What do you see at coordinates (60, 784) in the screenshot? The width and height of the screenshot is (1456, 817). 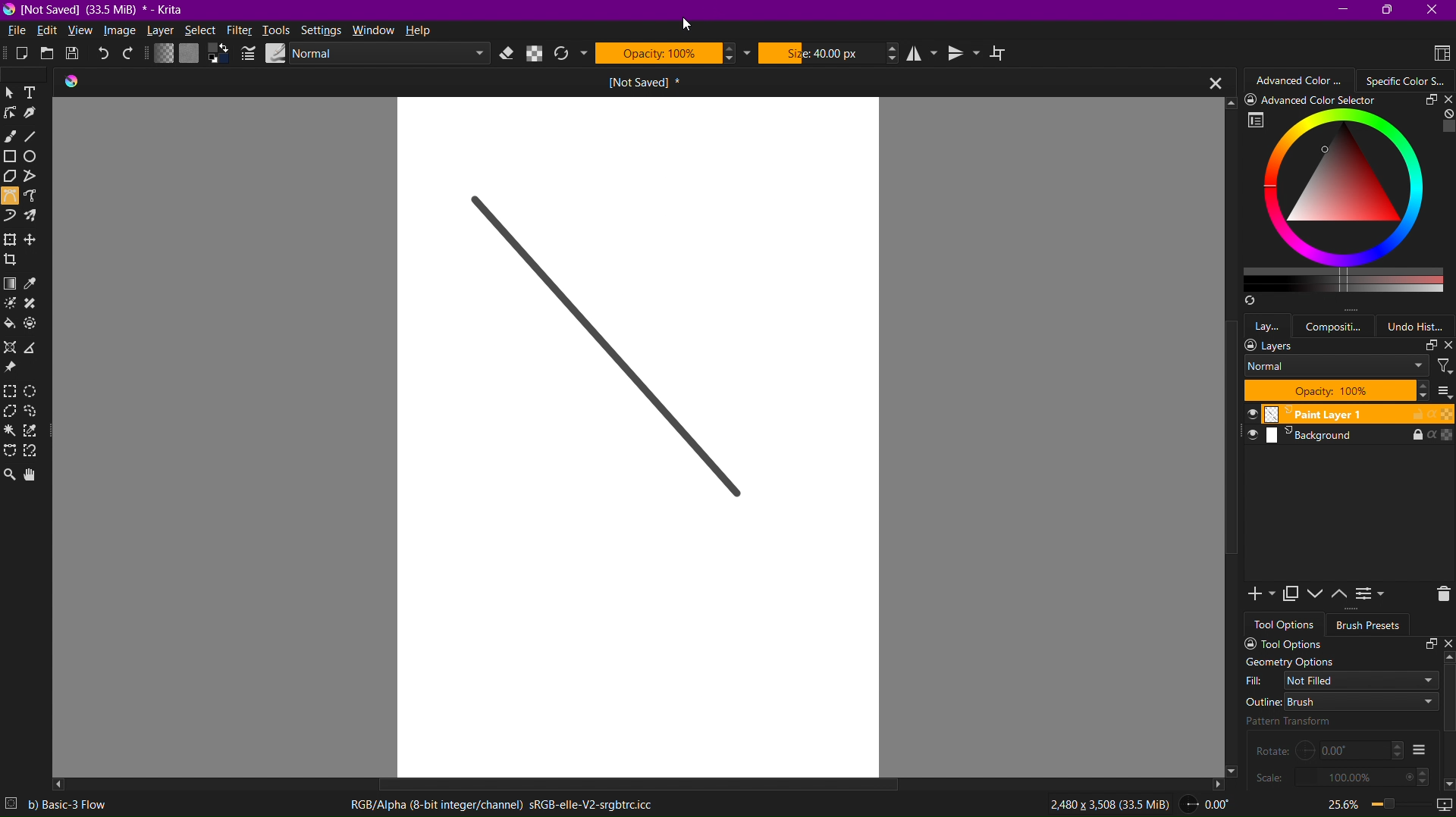 I see `Left` at bounding box center [60, 784].